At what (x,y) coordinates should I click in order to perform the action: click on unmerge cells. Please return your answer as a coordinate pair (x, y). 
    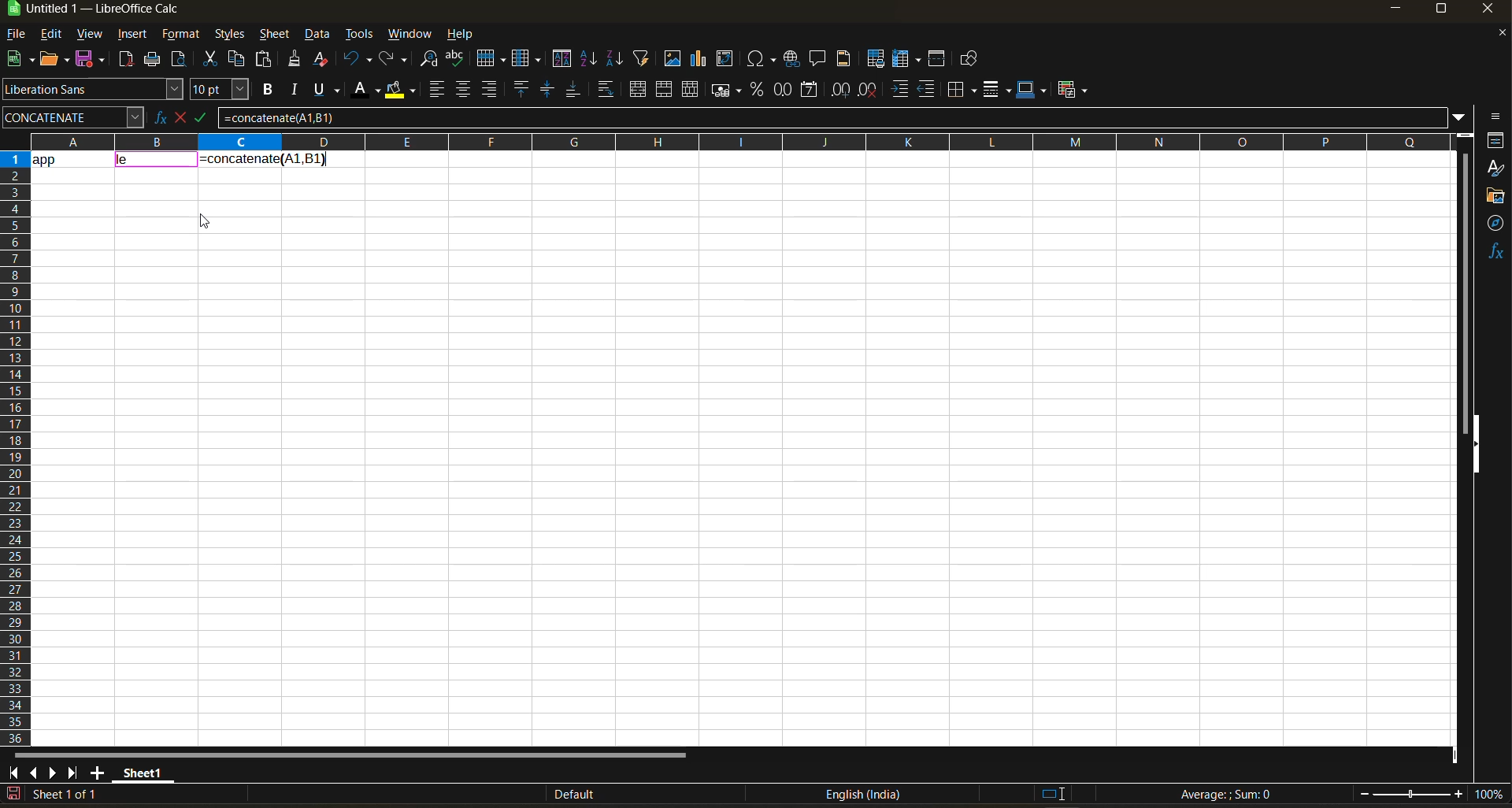
    Looking at the image, I should click on (692, 90).